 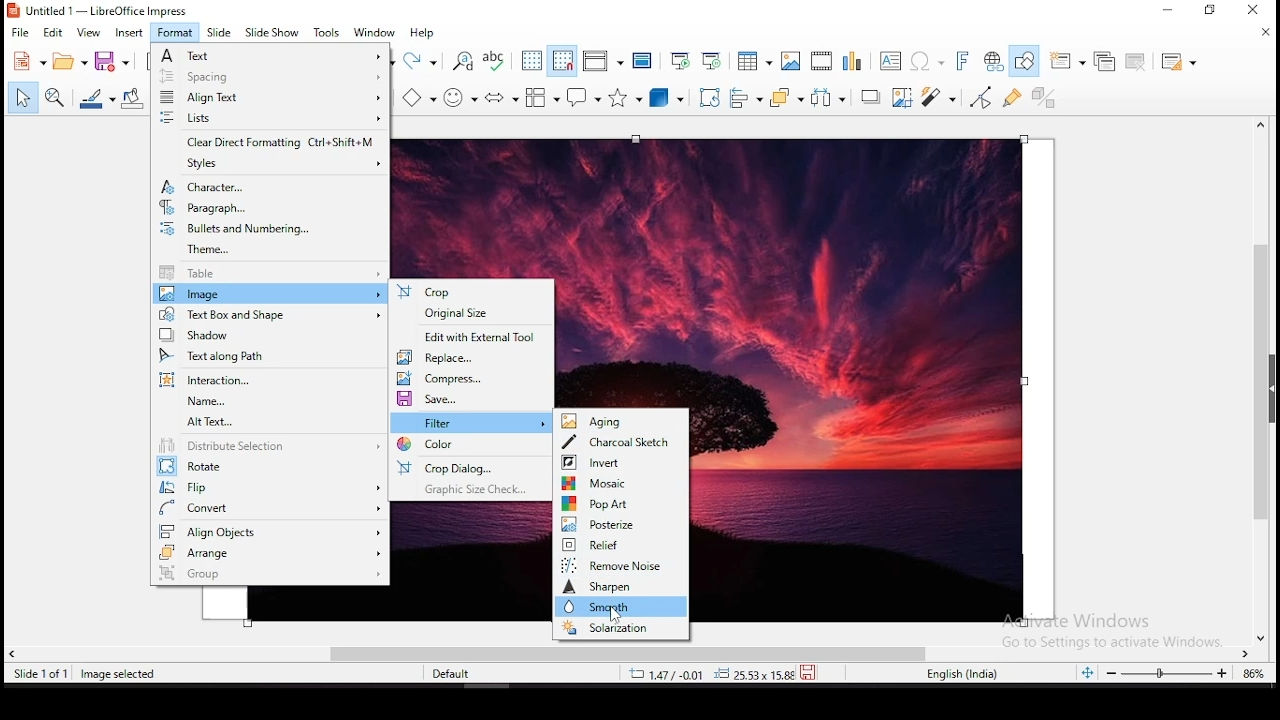 What do you see at coordinates (268, 402) in the screenshot?
I see `name` at bounding box center [268, 402].